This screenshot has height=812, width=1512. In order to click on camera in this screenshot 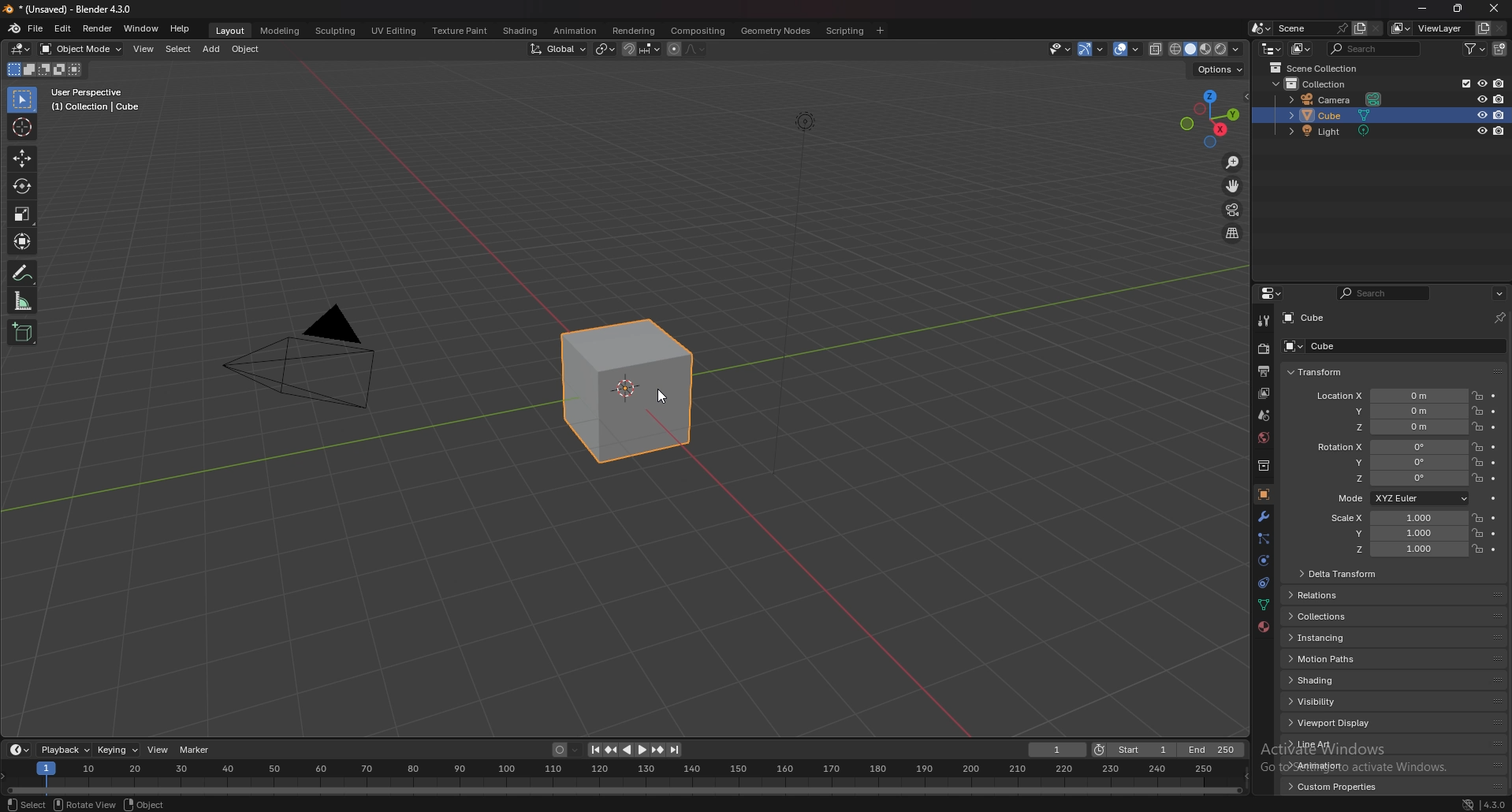, I will do `click(316, 361)`.